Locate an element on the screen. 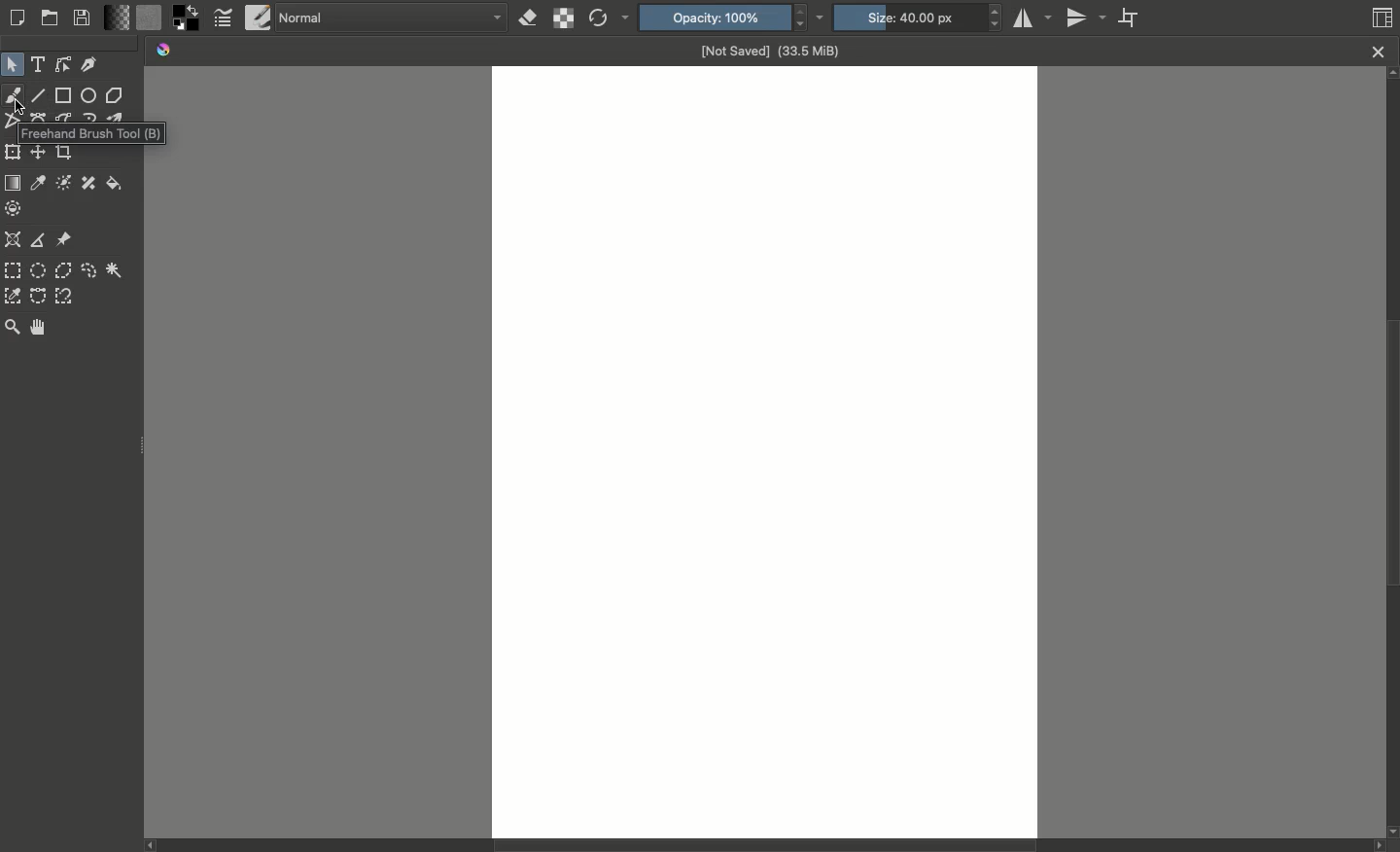 The image size is (1400, 852). Horizontal mirror tool is located at coordinates (1035, 18).